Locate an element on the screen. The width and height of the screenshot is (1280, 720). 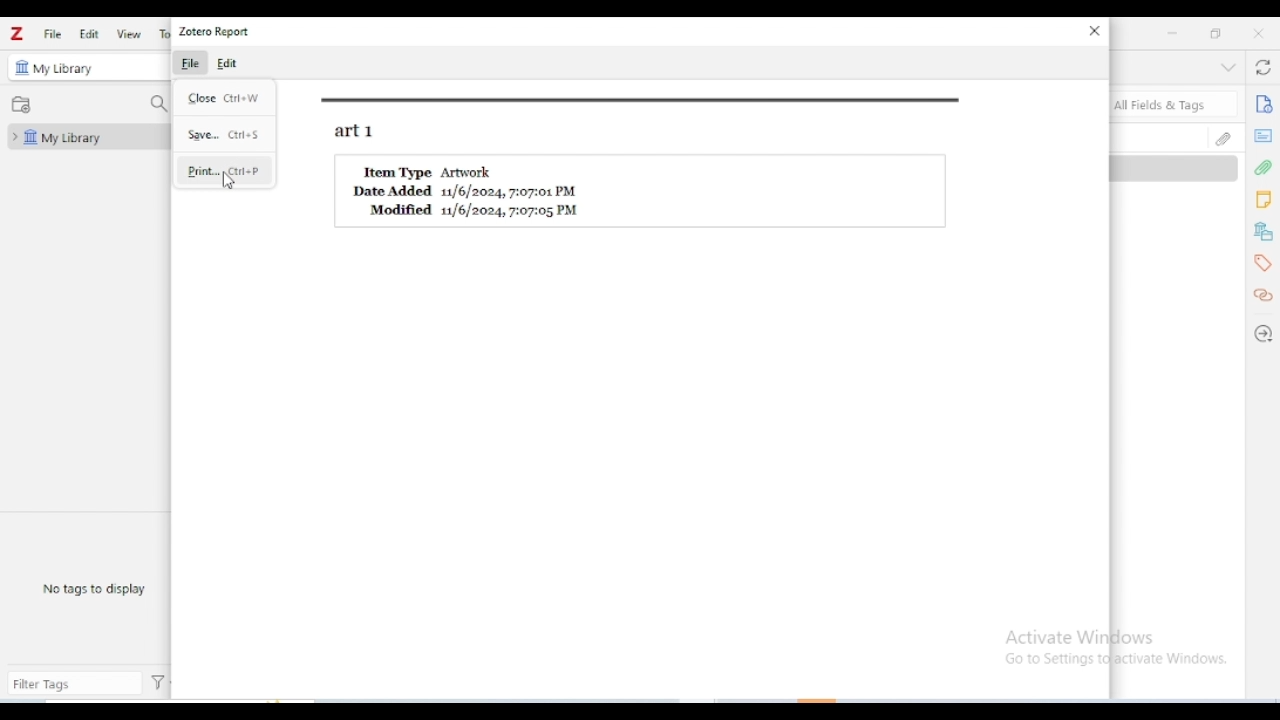
attachments is located at coordinates (1223, 138).